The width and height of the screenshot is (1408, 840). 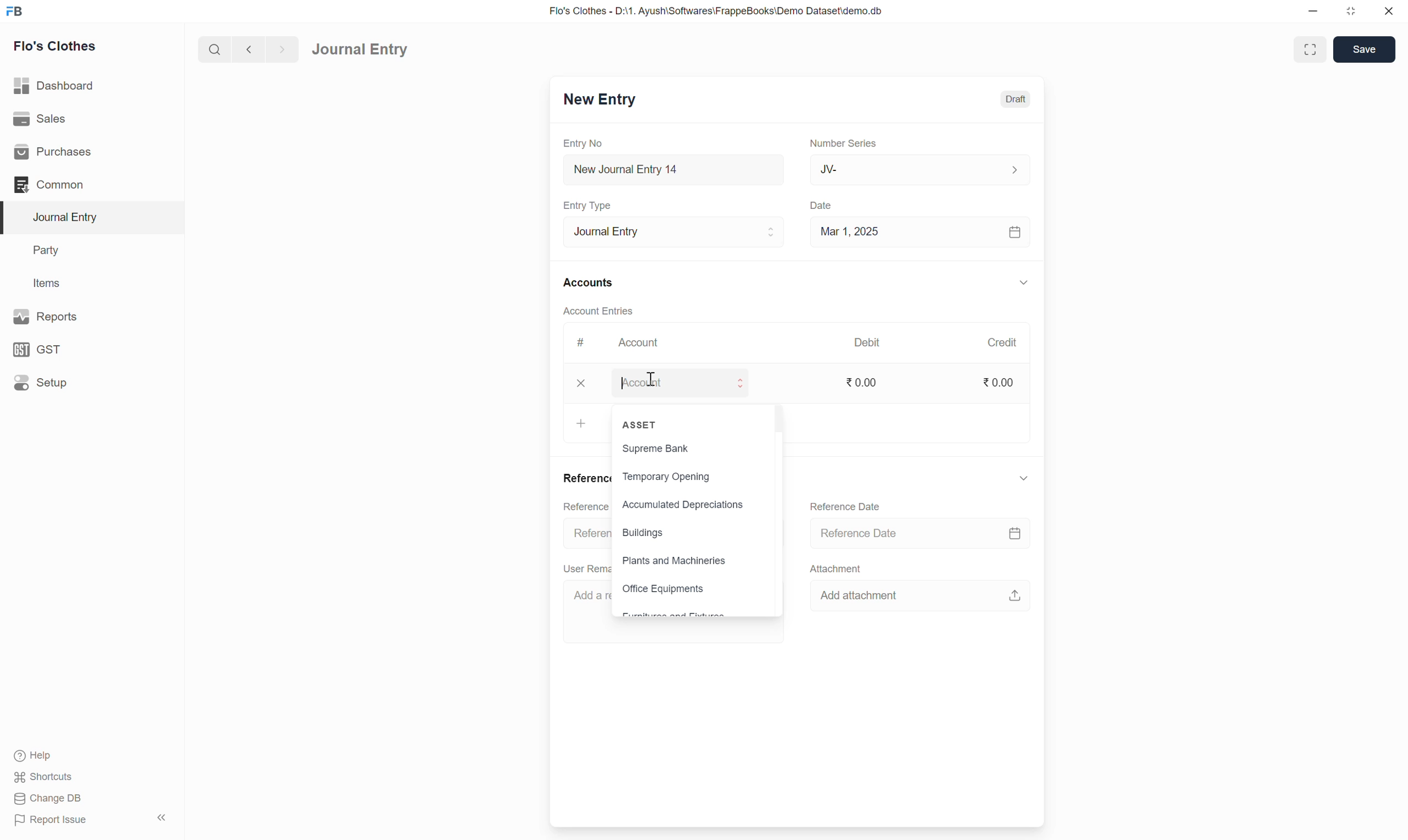 I want to click on enlarge, so click(x=1312, y=48).